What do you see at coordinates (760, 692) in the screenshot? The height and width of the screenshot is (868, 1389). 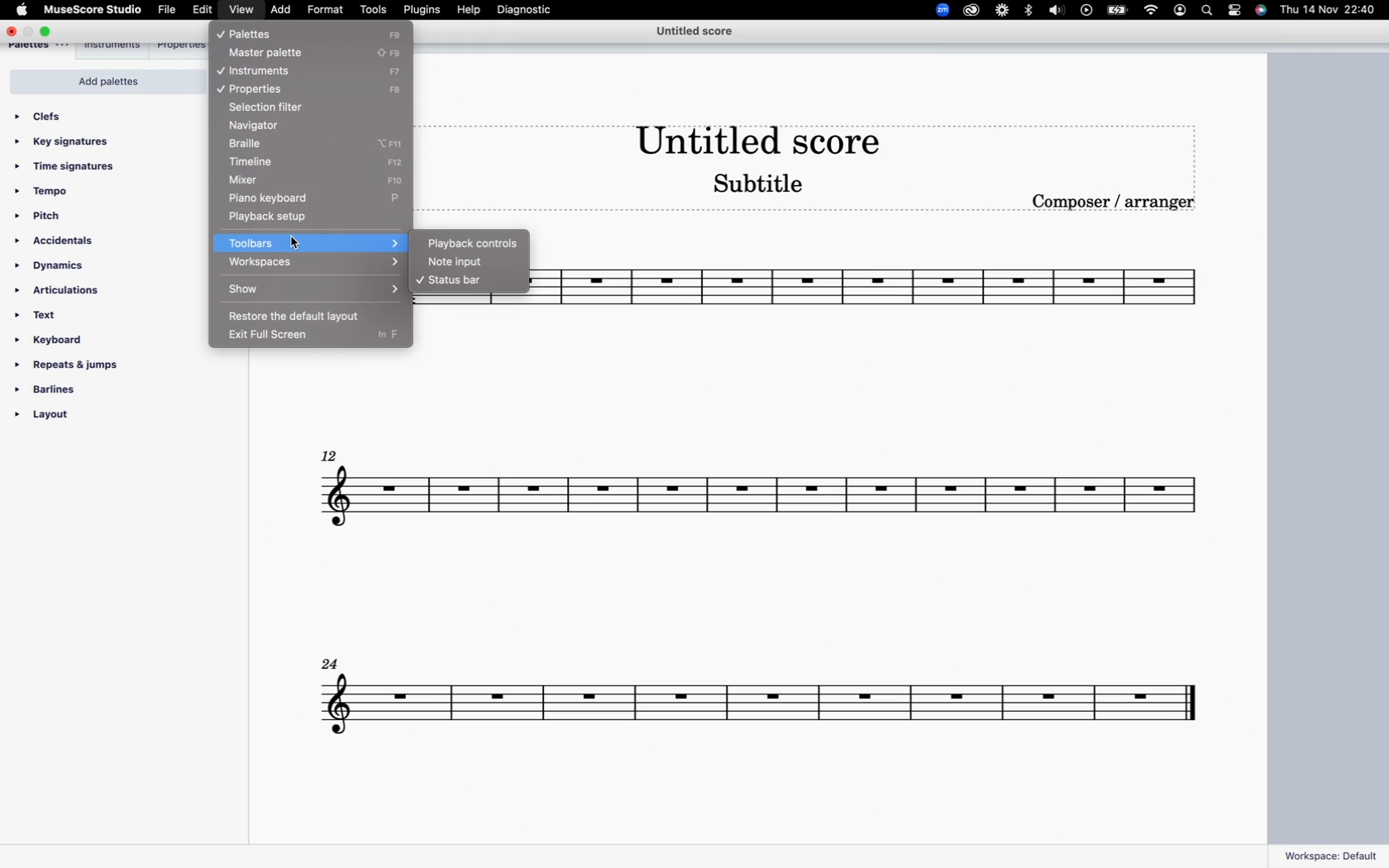 I see `score` at bounding box center [760, 692].